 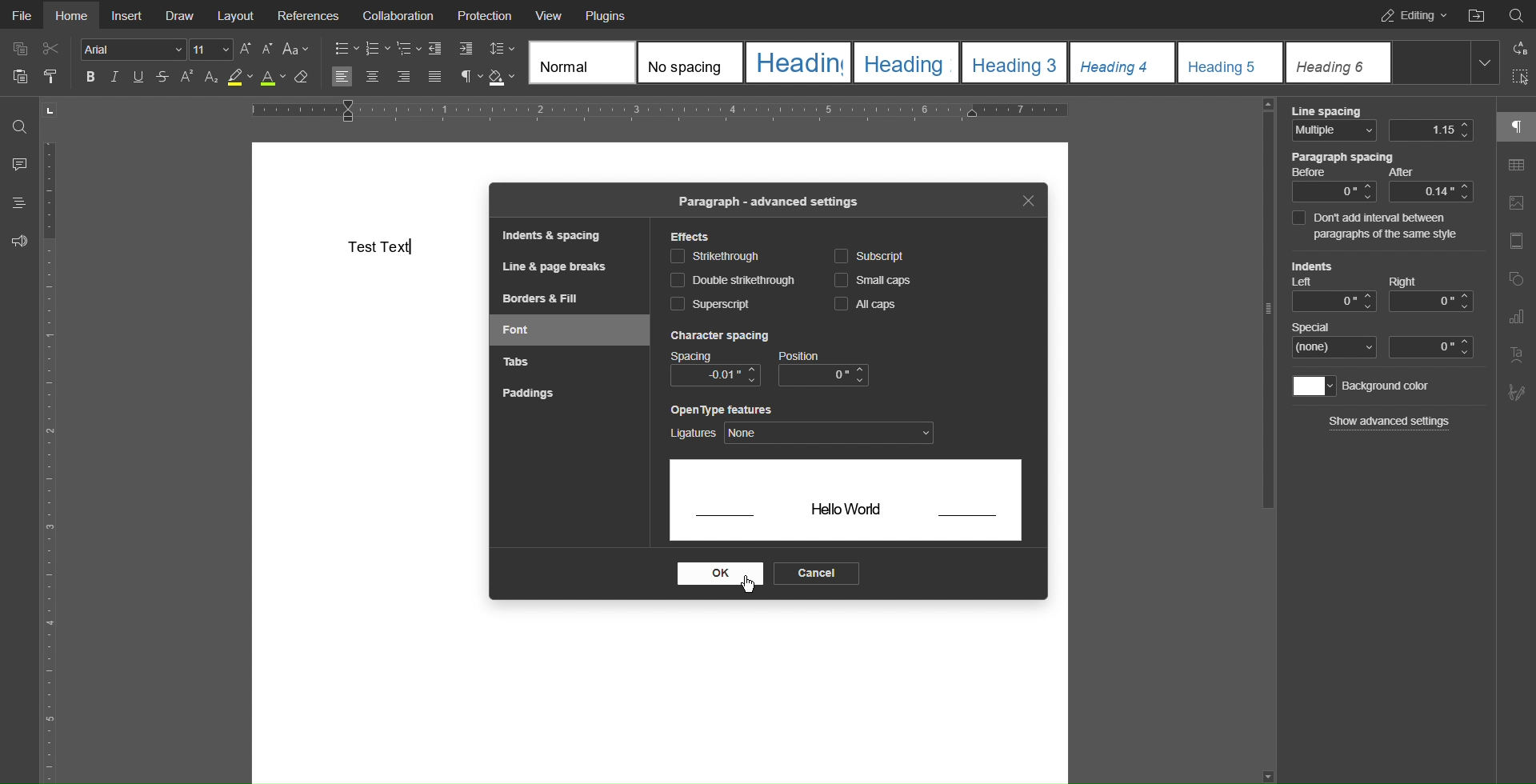 What do you see at coordinates (405, 78) in the screenshot?
I see `Right Align` at bounding box center [405, 78].